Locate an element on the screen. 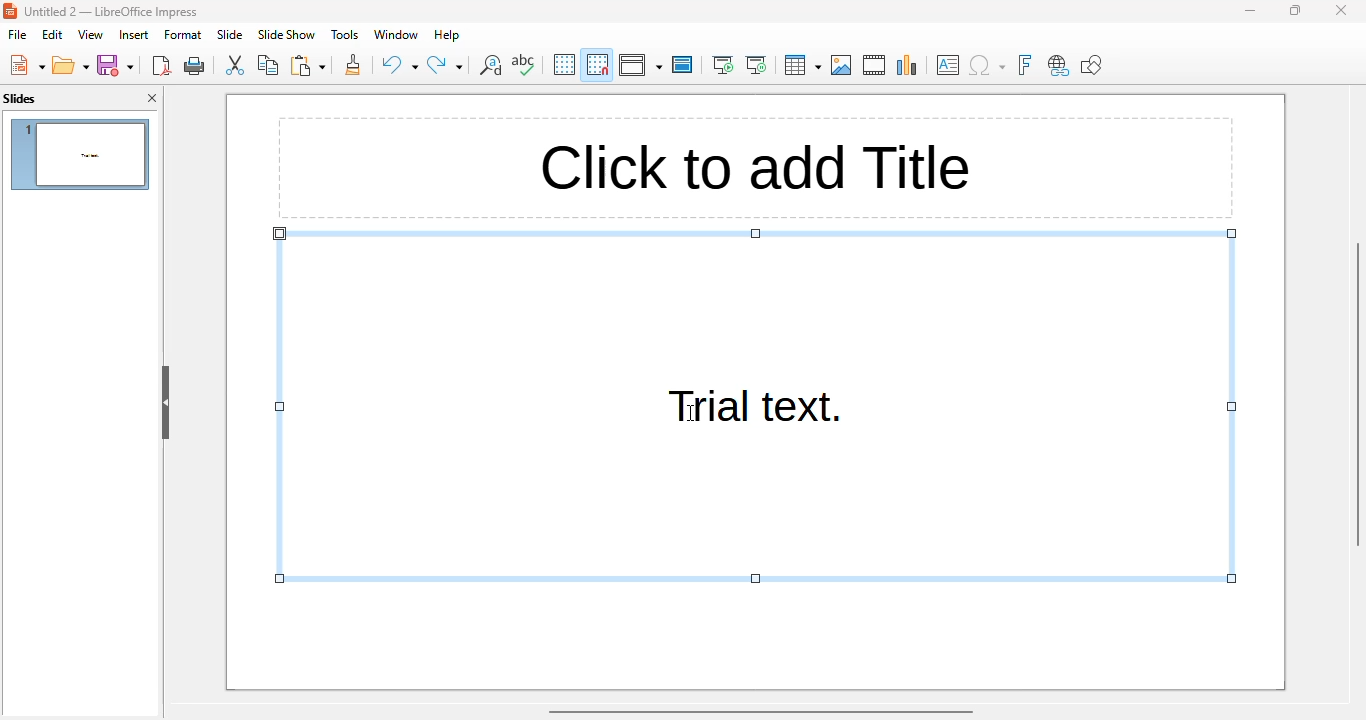 The width and height of the screenshot is (1366, 720). view is located at coordinates (91, 34).